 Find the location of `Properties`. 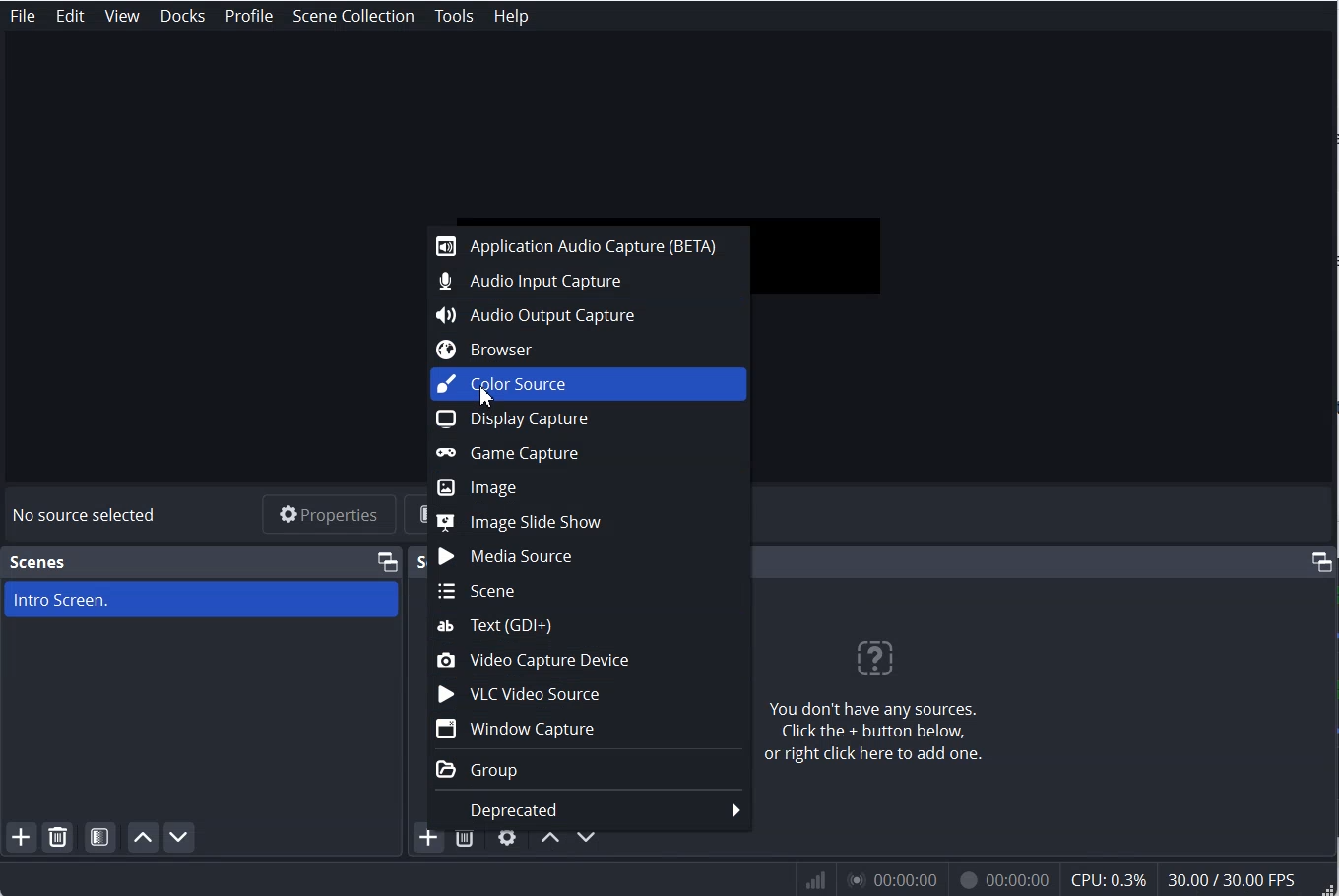

Properties is located at coordinates (328, 514).